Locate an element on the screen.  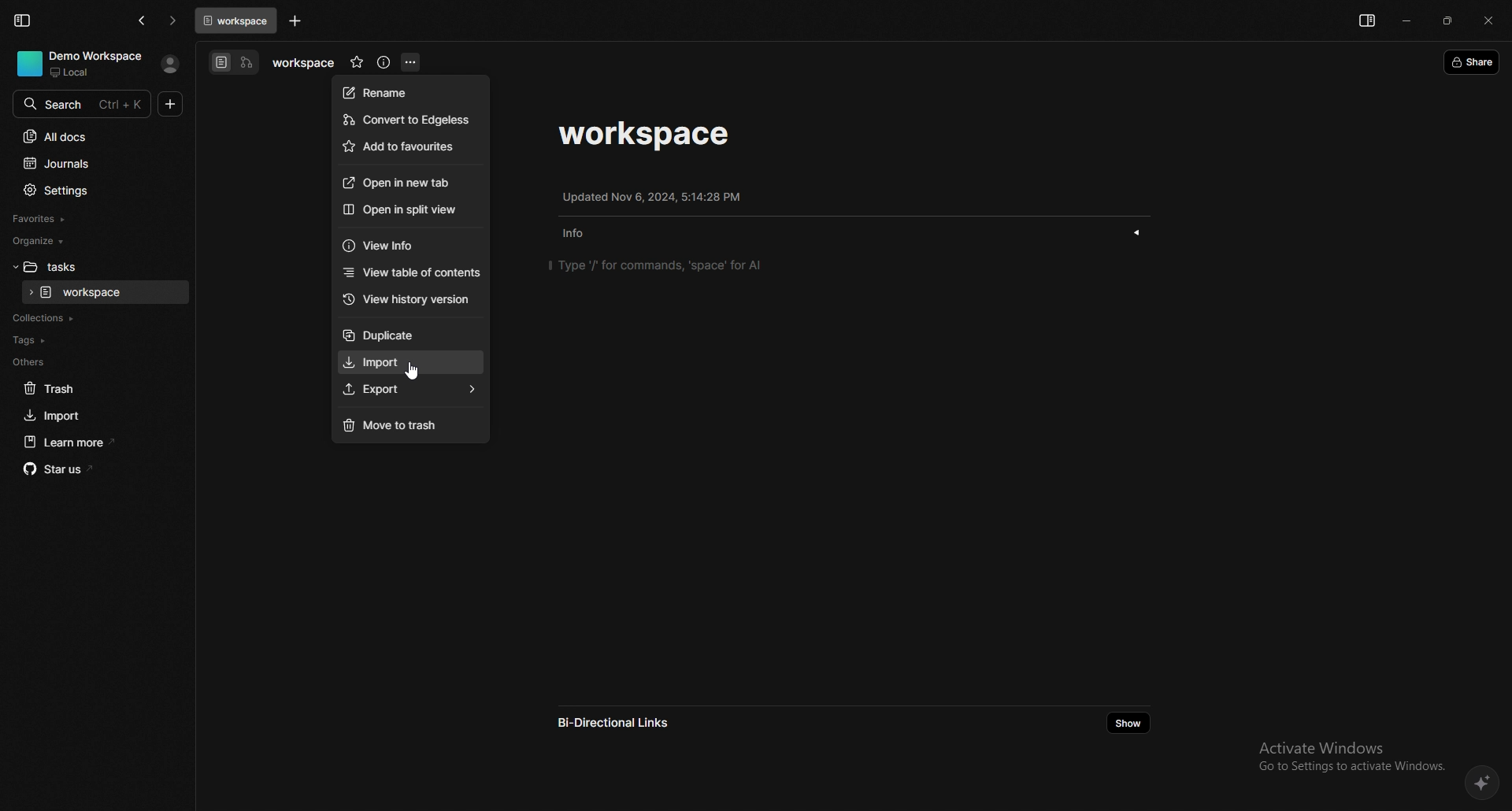
view info is located at coordinates (410, 245).